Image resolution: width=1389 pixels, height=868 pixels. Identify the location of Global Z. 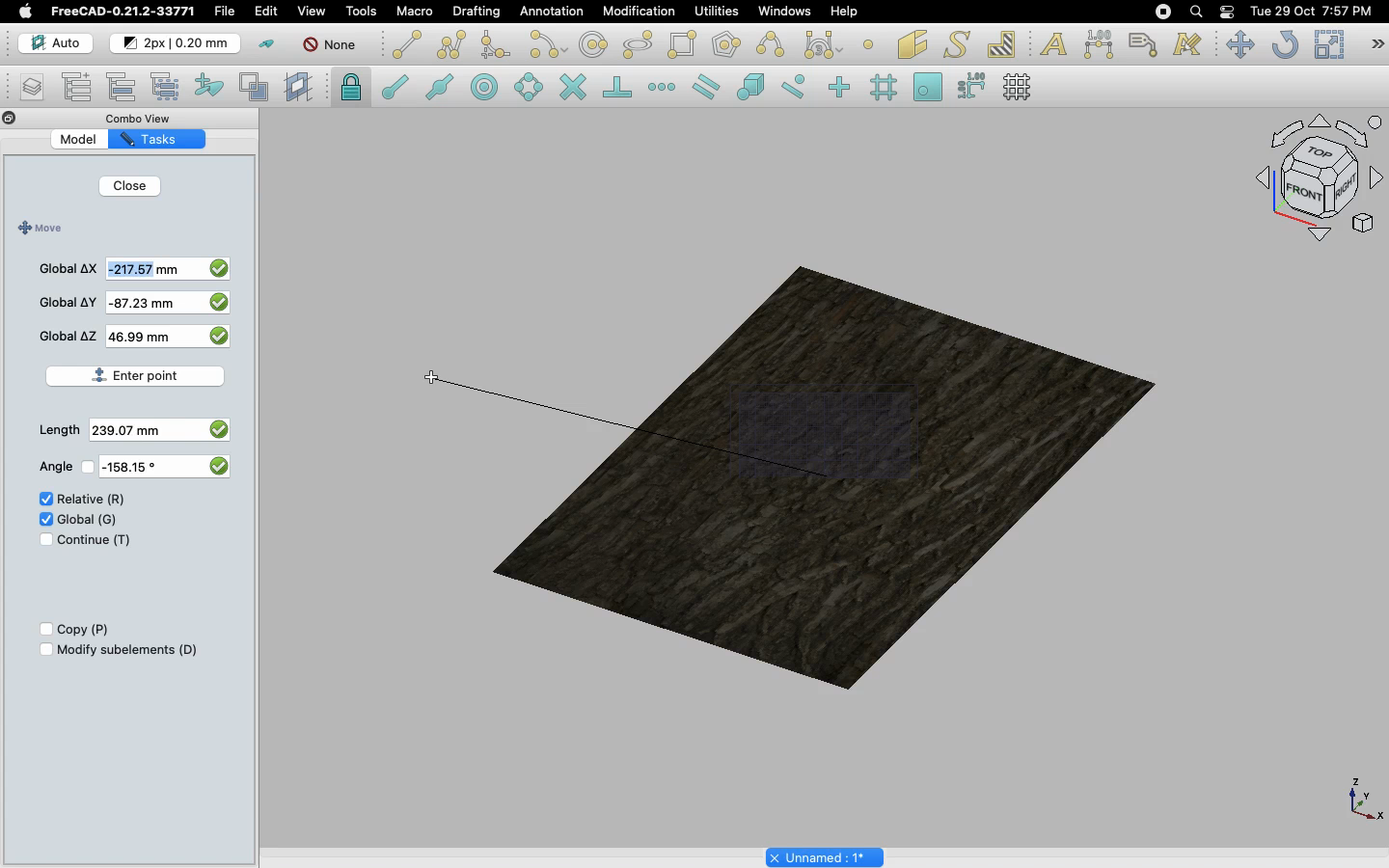
(68, 336).